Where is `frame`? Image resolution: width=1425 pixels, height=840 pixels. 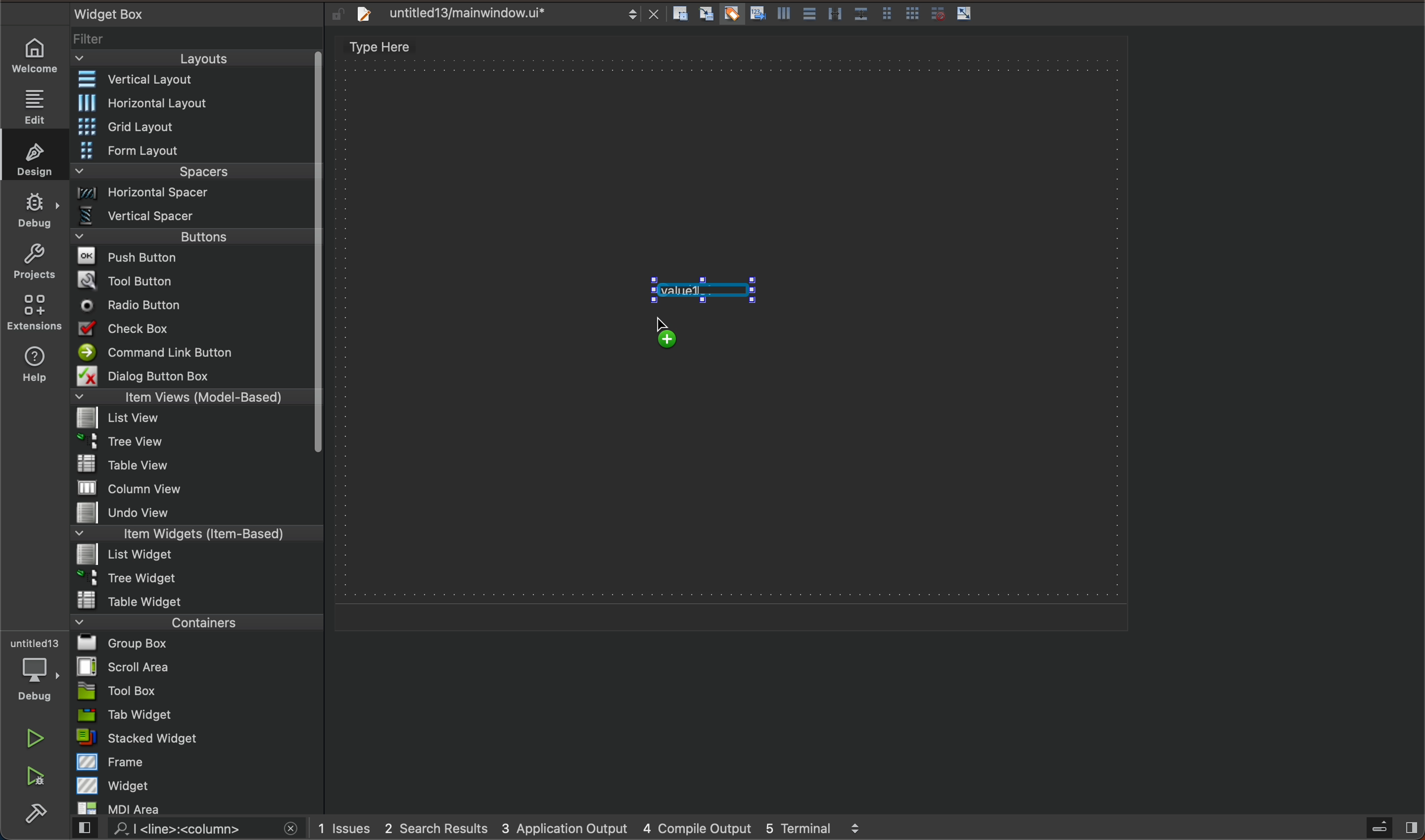
frame is located at coordinates (199, 761).